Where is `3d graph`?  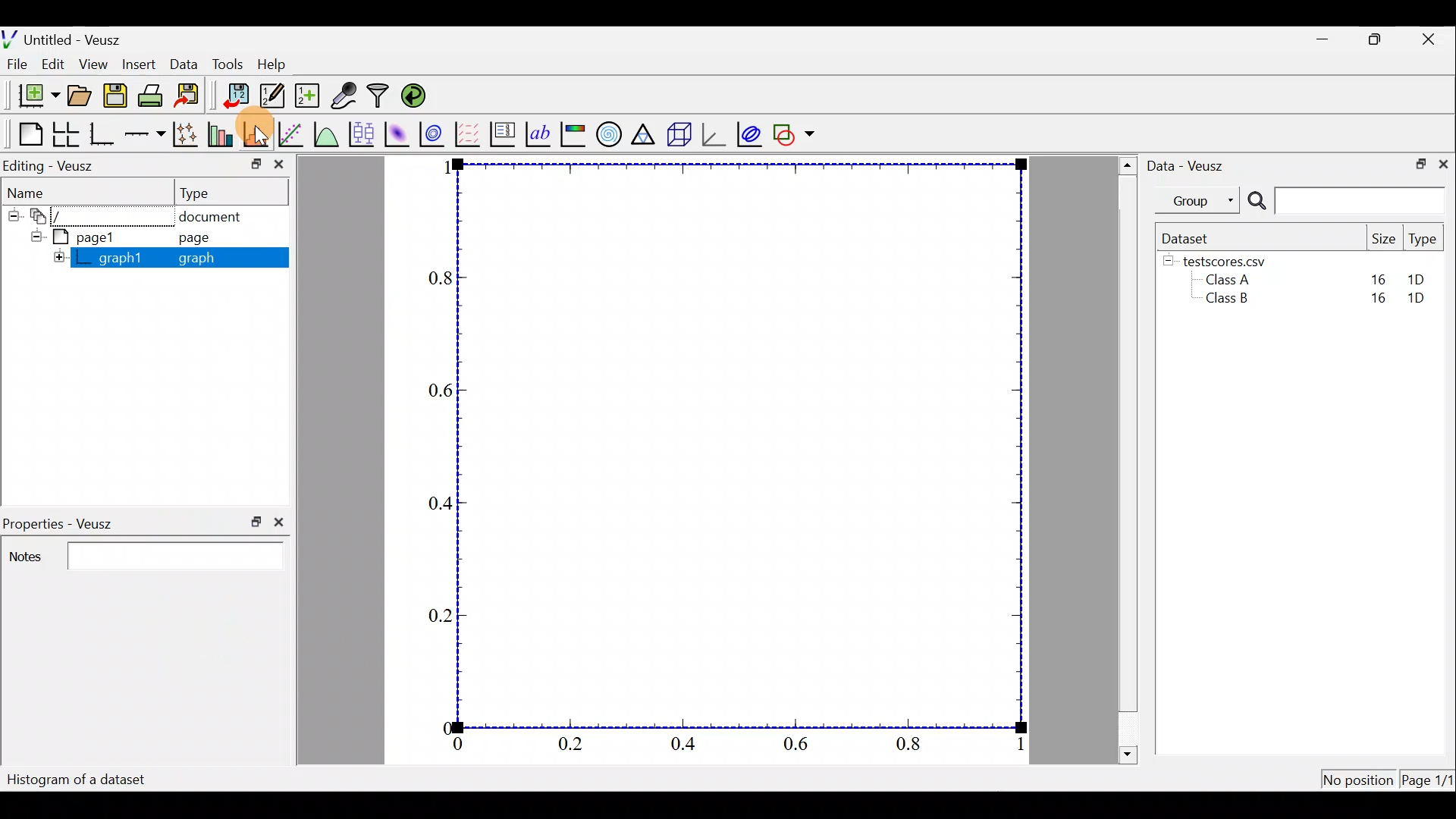
3d graph is located at coordinates (715, 135).